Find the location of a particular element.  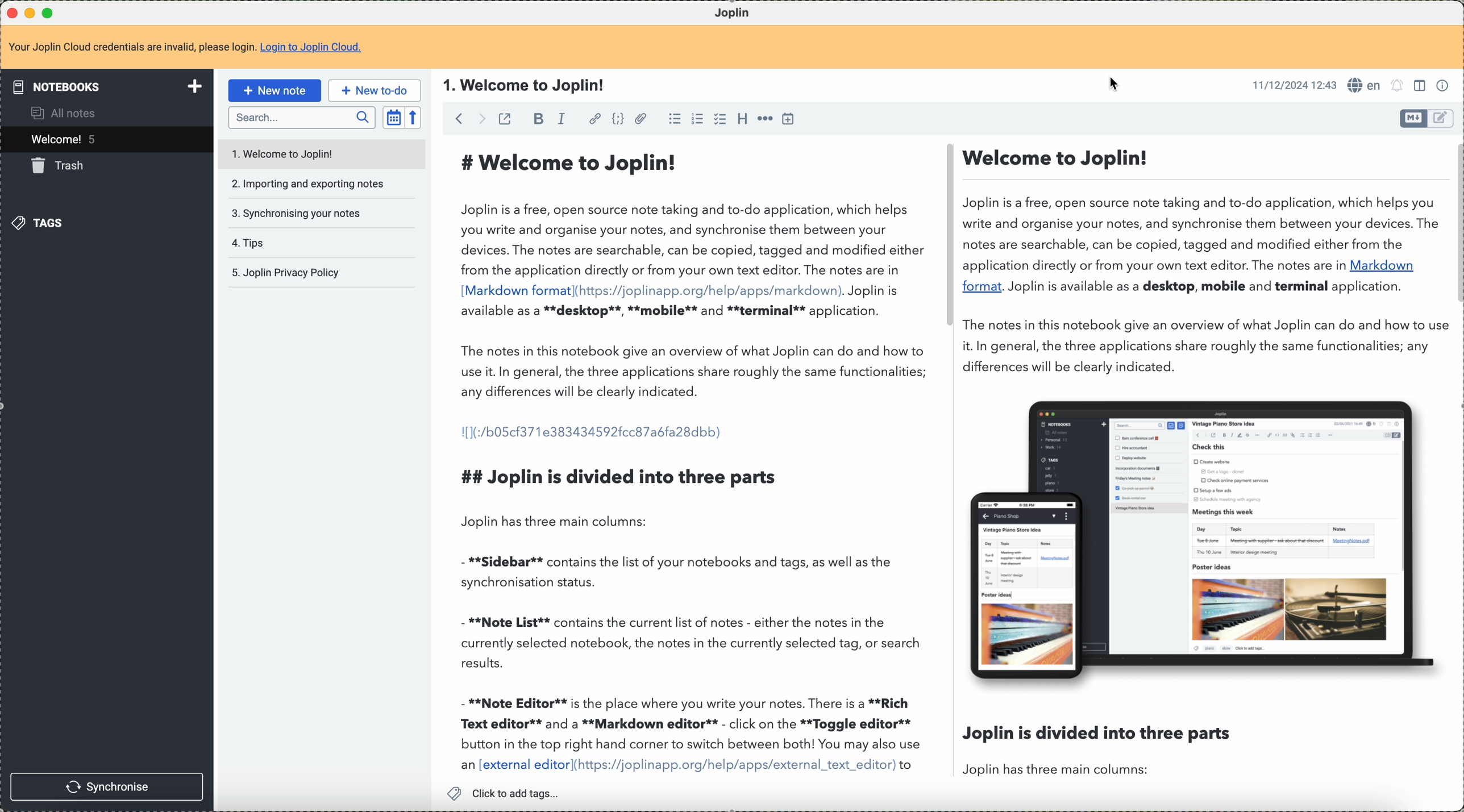

minimize Joplin is located at coordinates (30, 14).